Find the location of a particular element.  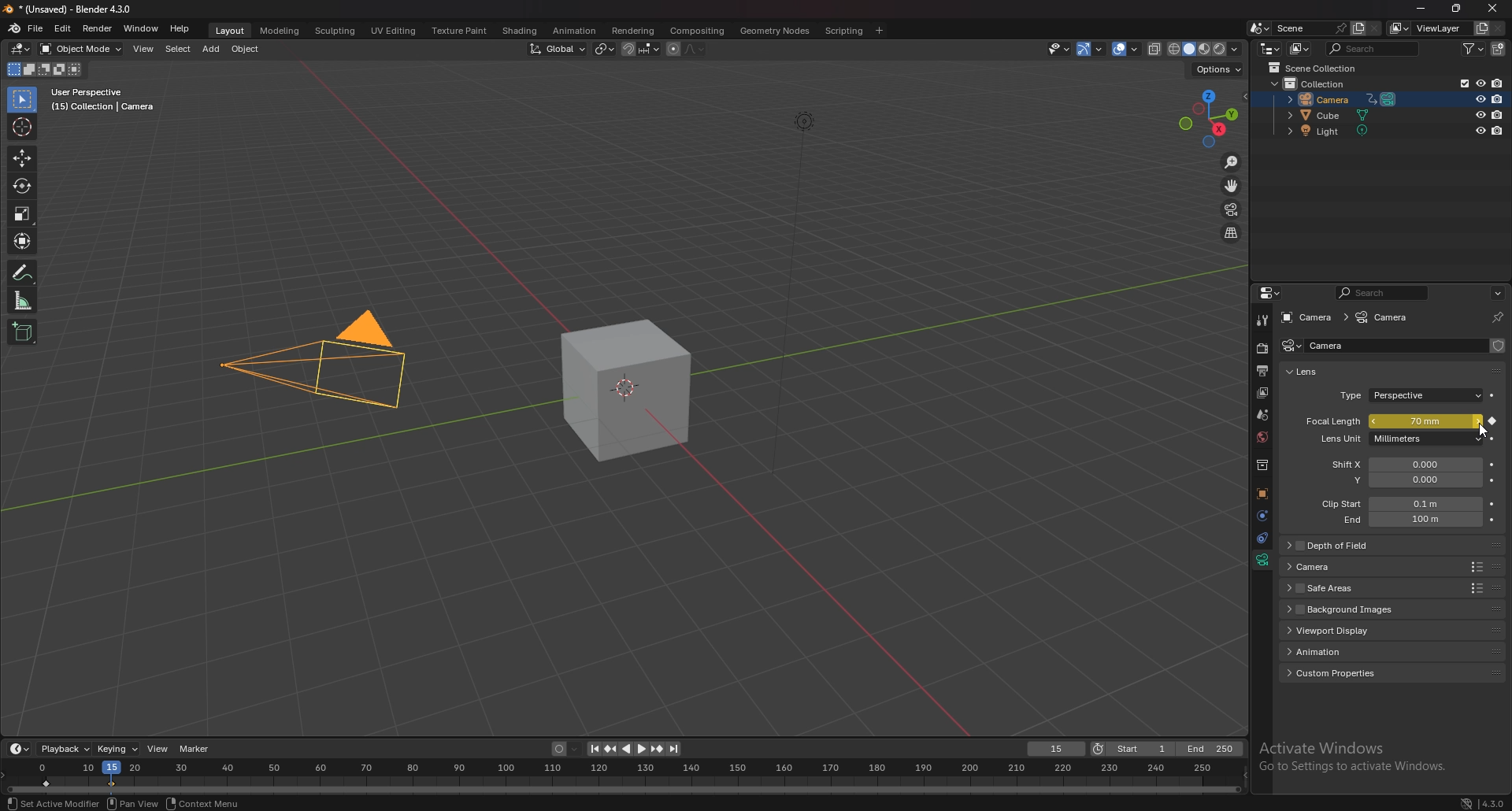

editor type is located at coordinates (20, 49).